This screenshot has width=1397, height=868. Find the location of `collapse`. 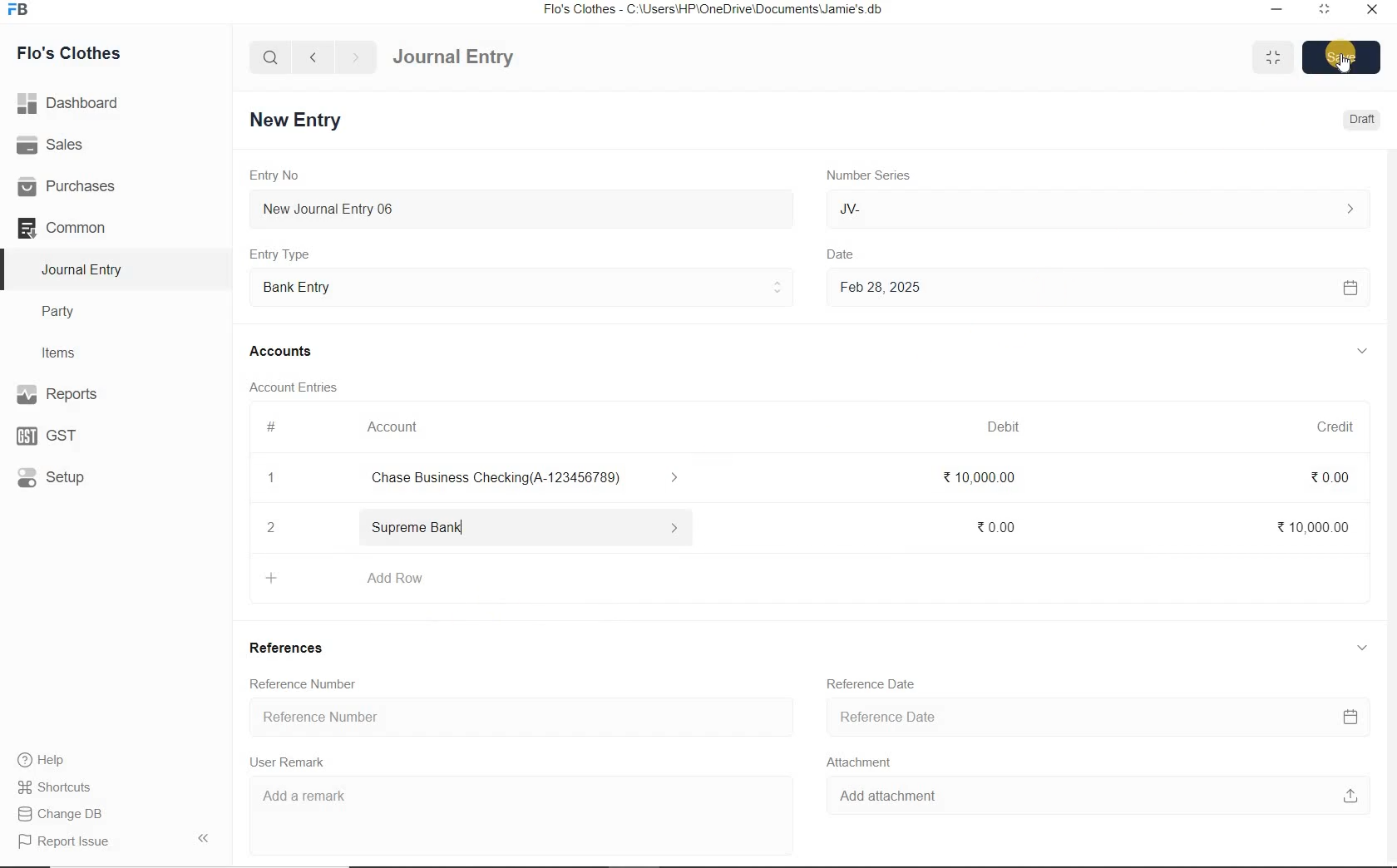

collapse is located at coordinates (1359, 645).